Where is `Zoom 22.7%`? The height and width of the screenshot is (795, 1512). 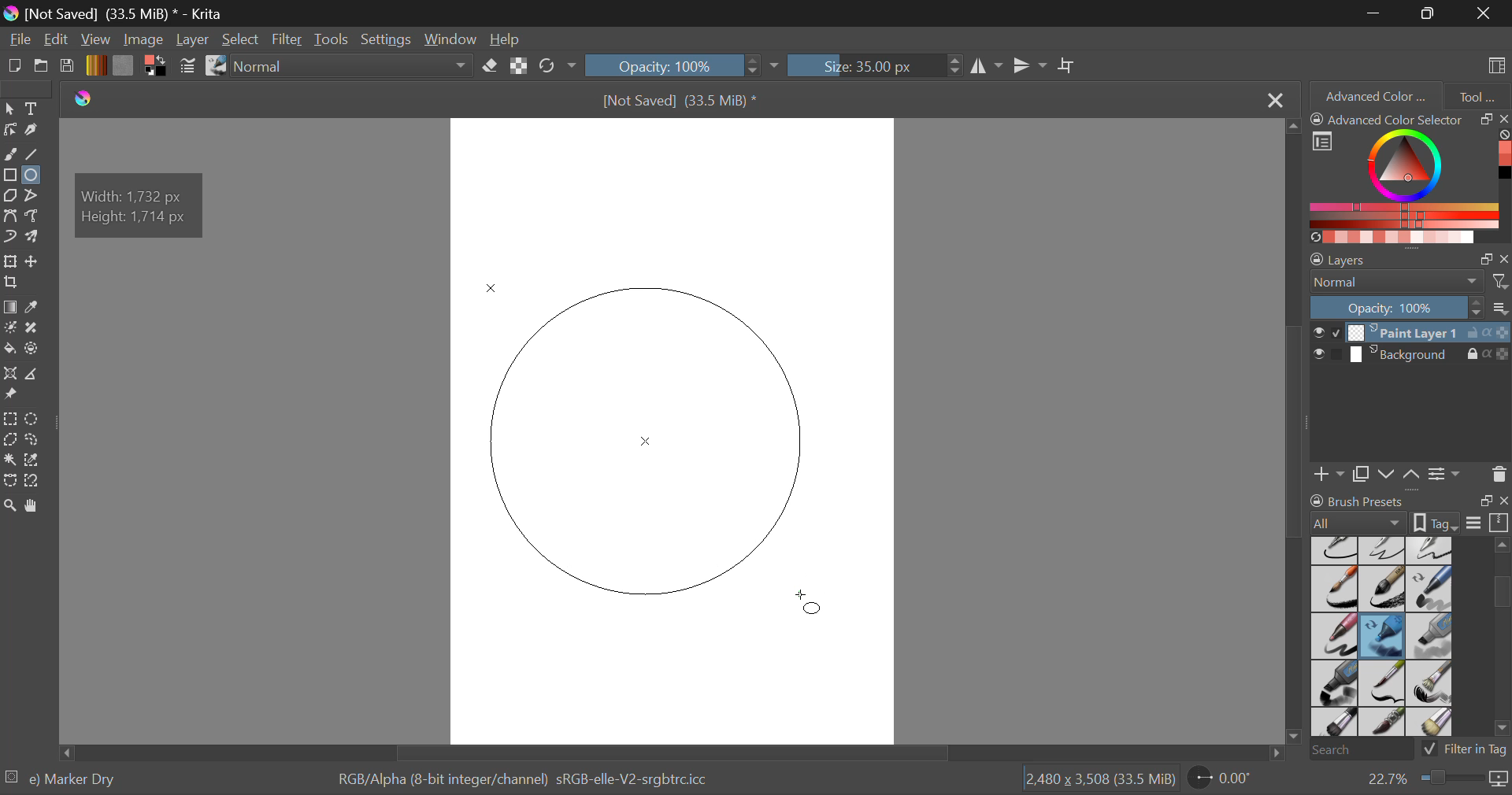 Zoom 22.7% is located at coordinates (1431, 779).